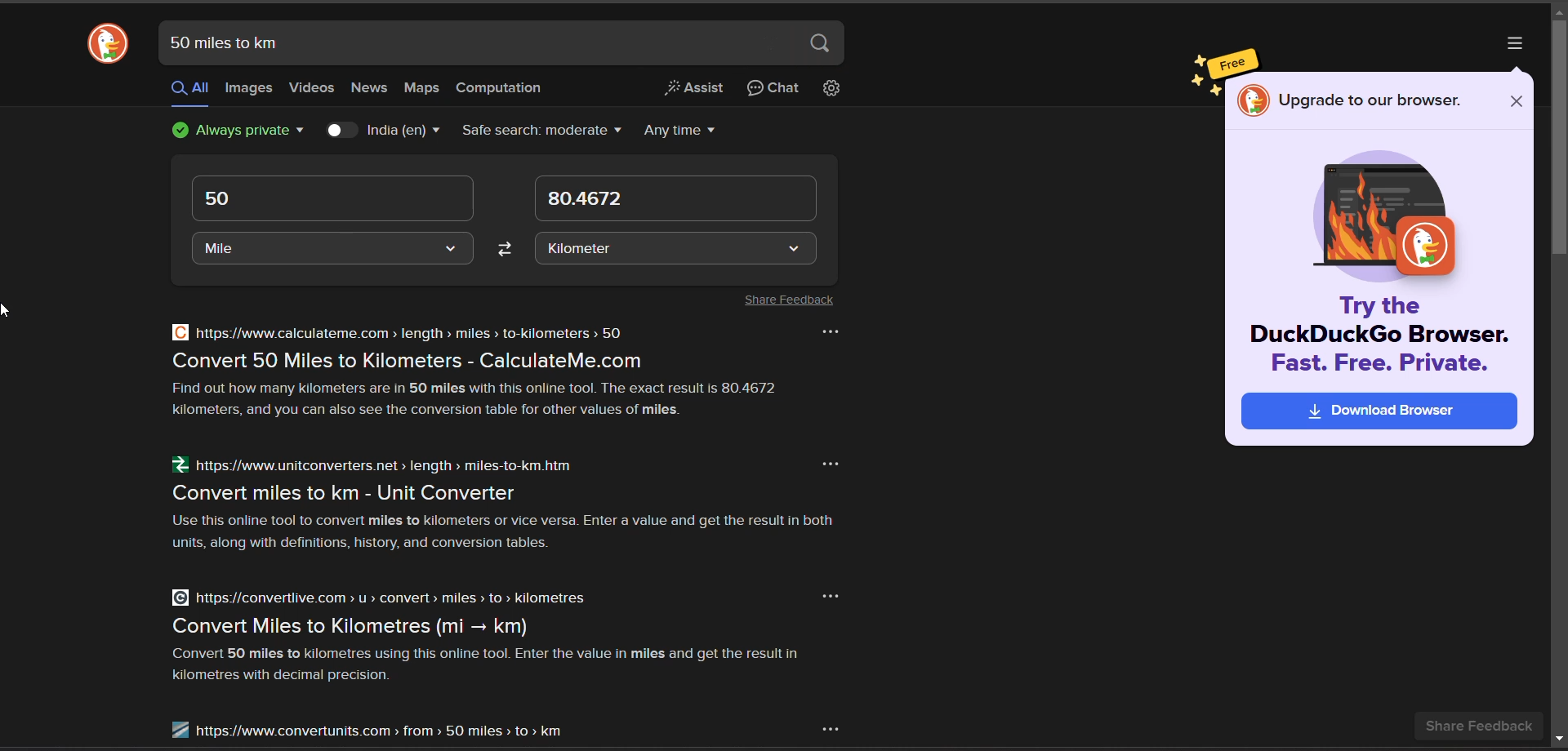 This screenshot has height=751, width=1568. What do you see at coordinates (1249, 100) in the screenshot?
I see `logo` at bounding box center [1249, 100].